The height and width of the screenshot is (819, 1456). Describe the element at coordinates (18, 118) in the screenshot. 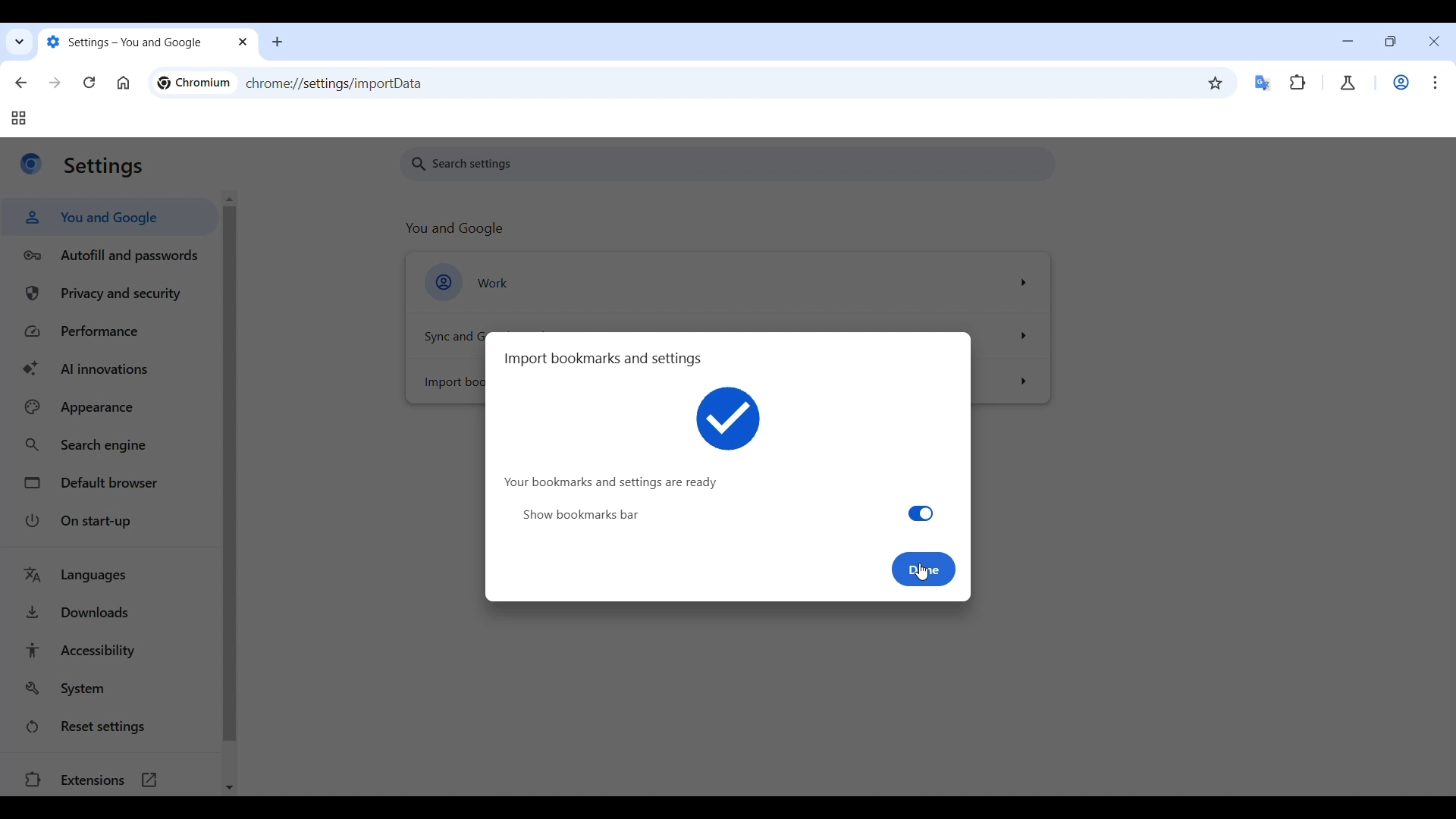

I see `Tab groups` at that location.